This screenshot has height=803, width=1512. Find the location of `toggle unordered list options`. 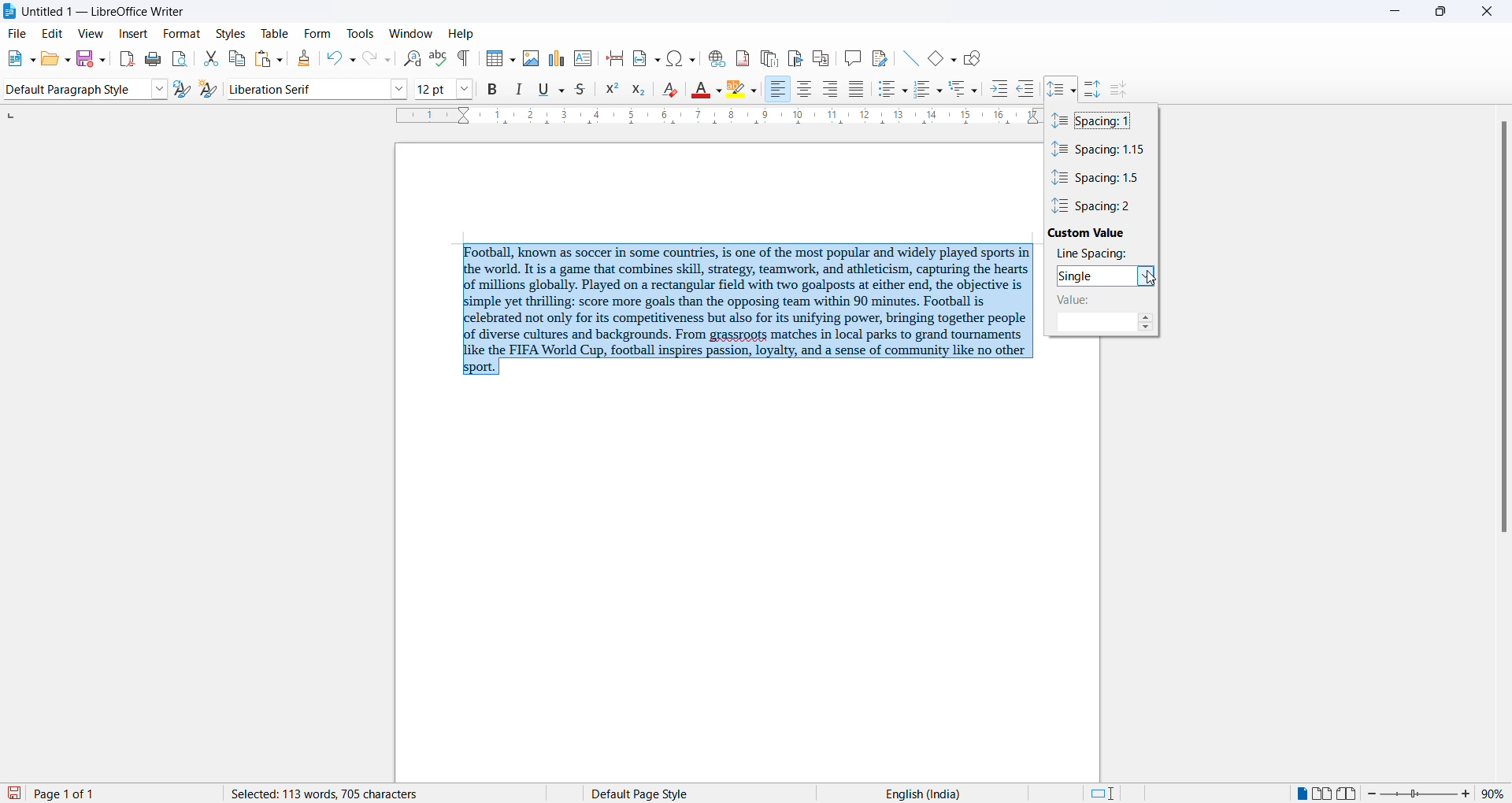

toggle unordered list options is located at coordinates (903, 92).